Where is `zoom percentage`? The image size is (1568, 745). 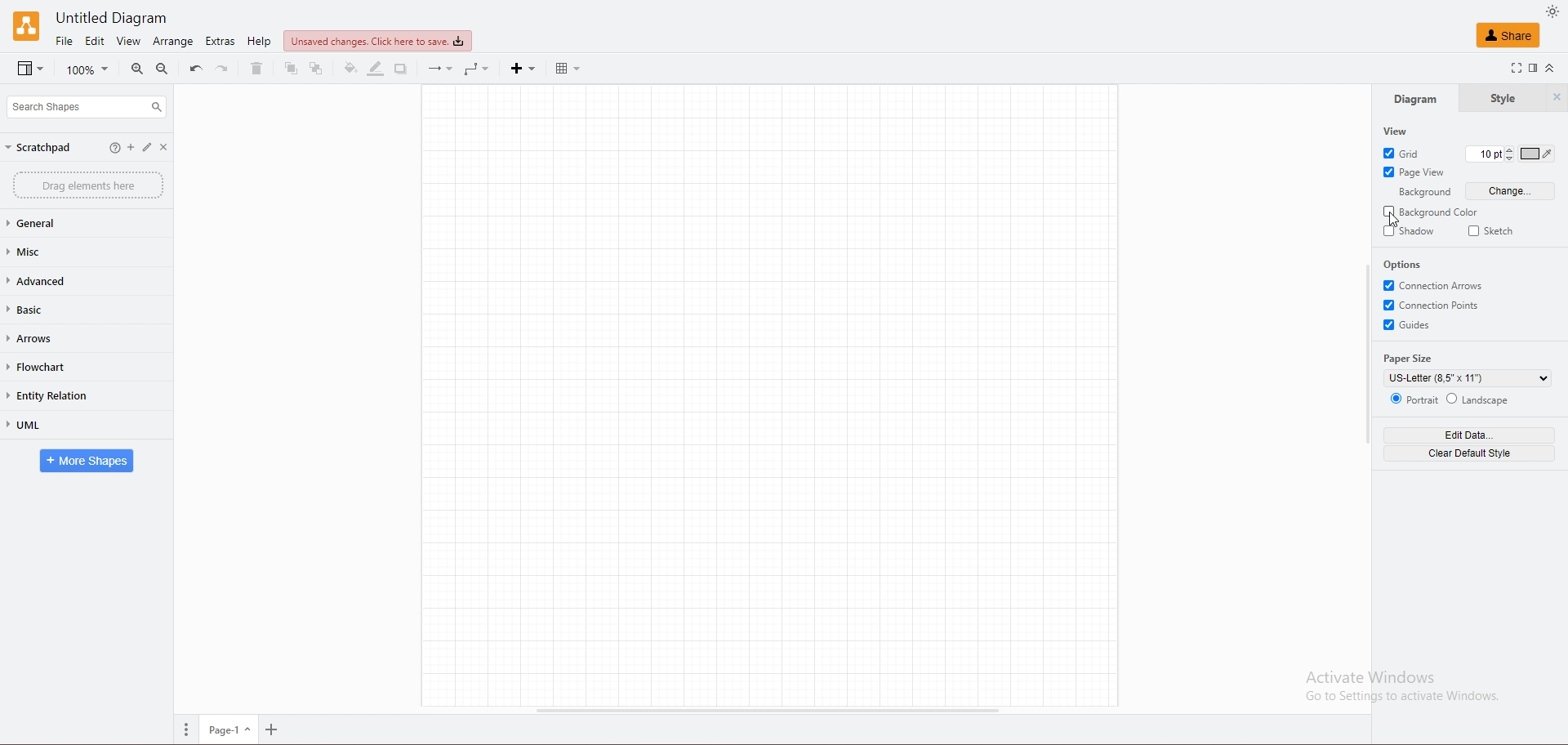
zoom percentage is located at coordinates (89, 69).